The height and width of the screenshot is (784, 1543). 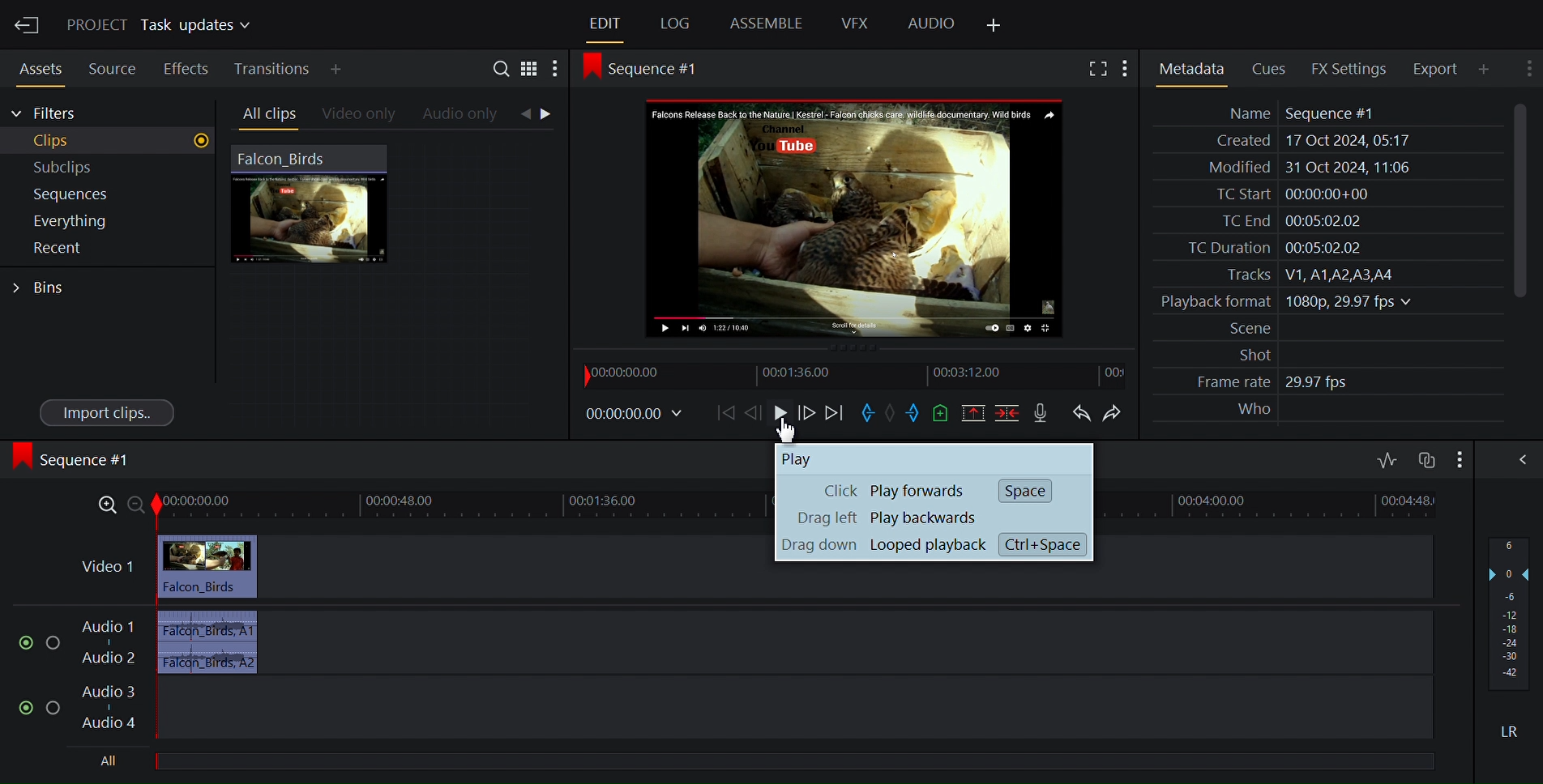 I want to click on All, so click(x=107, y=762).